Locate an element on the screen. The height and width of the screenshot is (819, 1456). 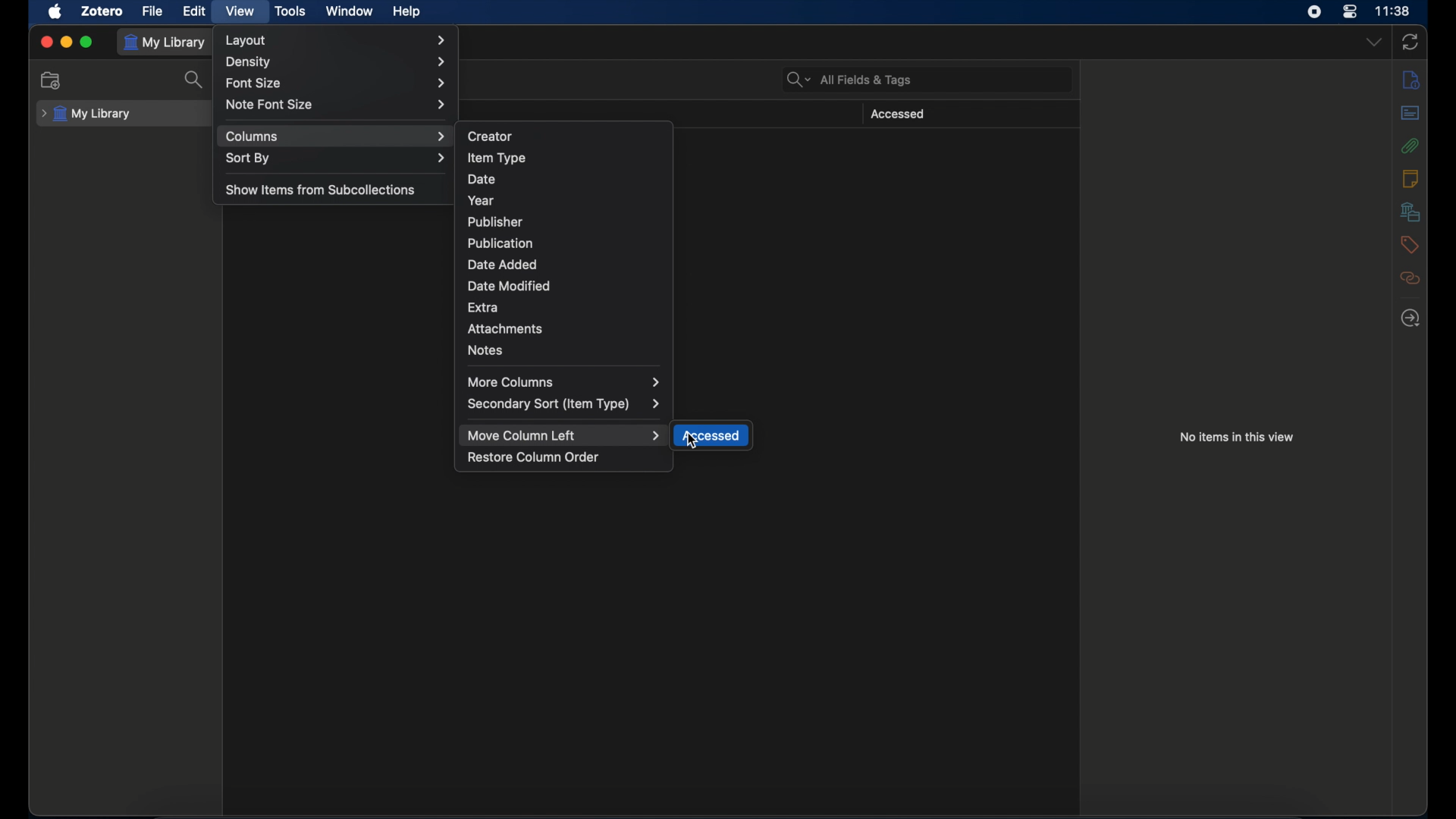
sort by is located at coordinates (336, 158).